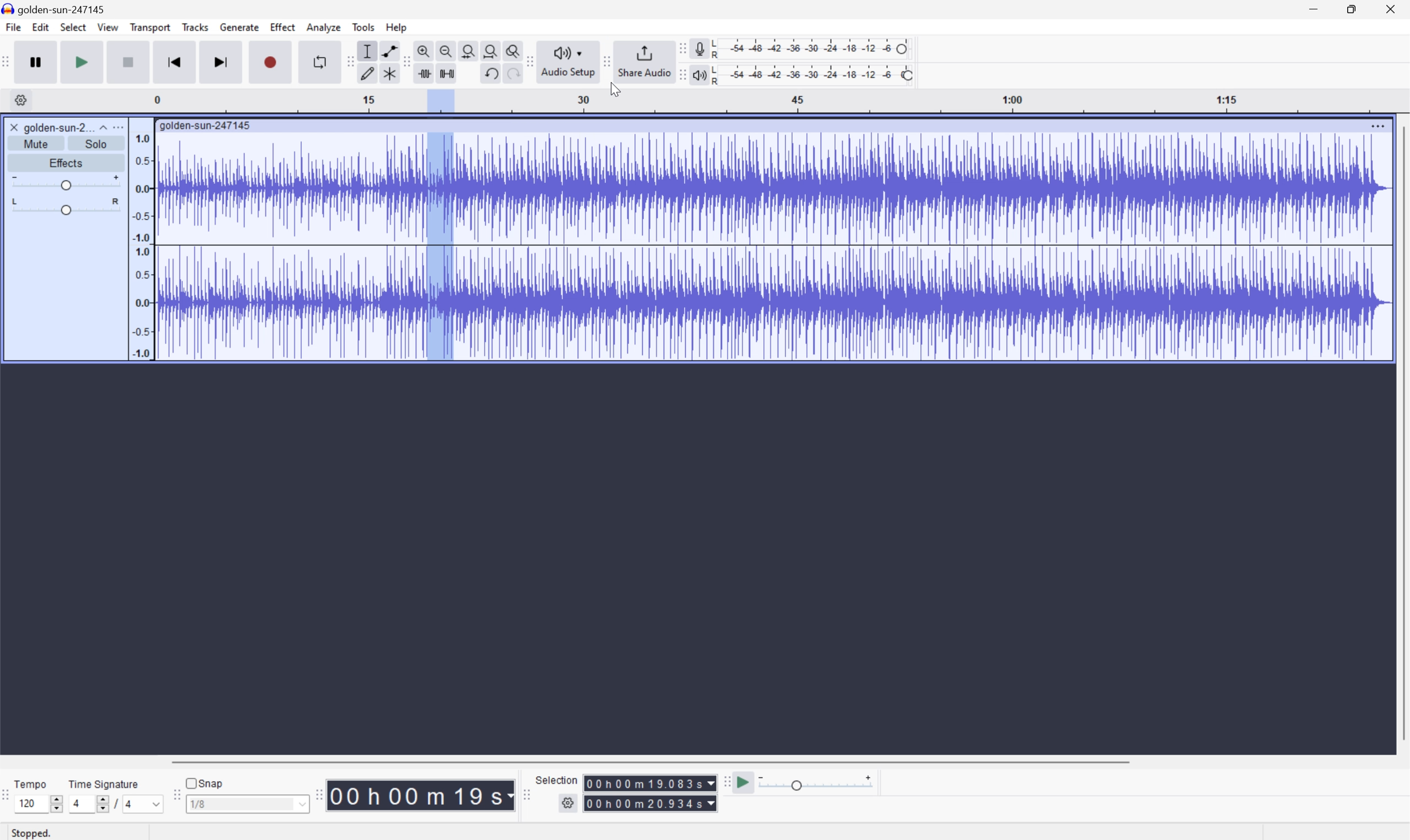 The image size is (1410, 840). I want to click on Tools, so click(364, 27).